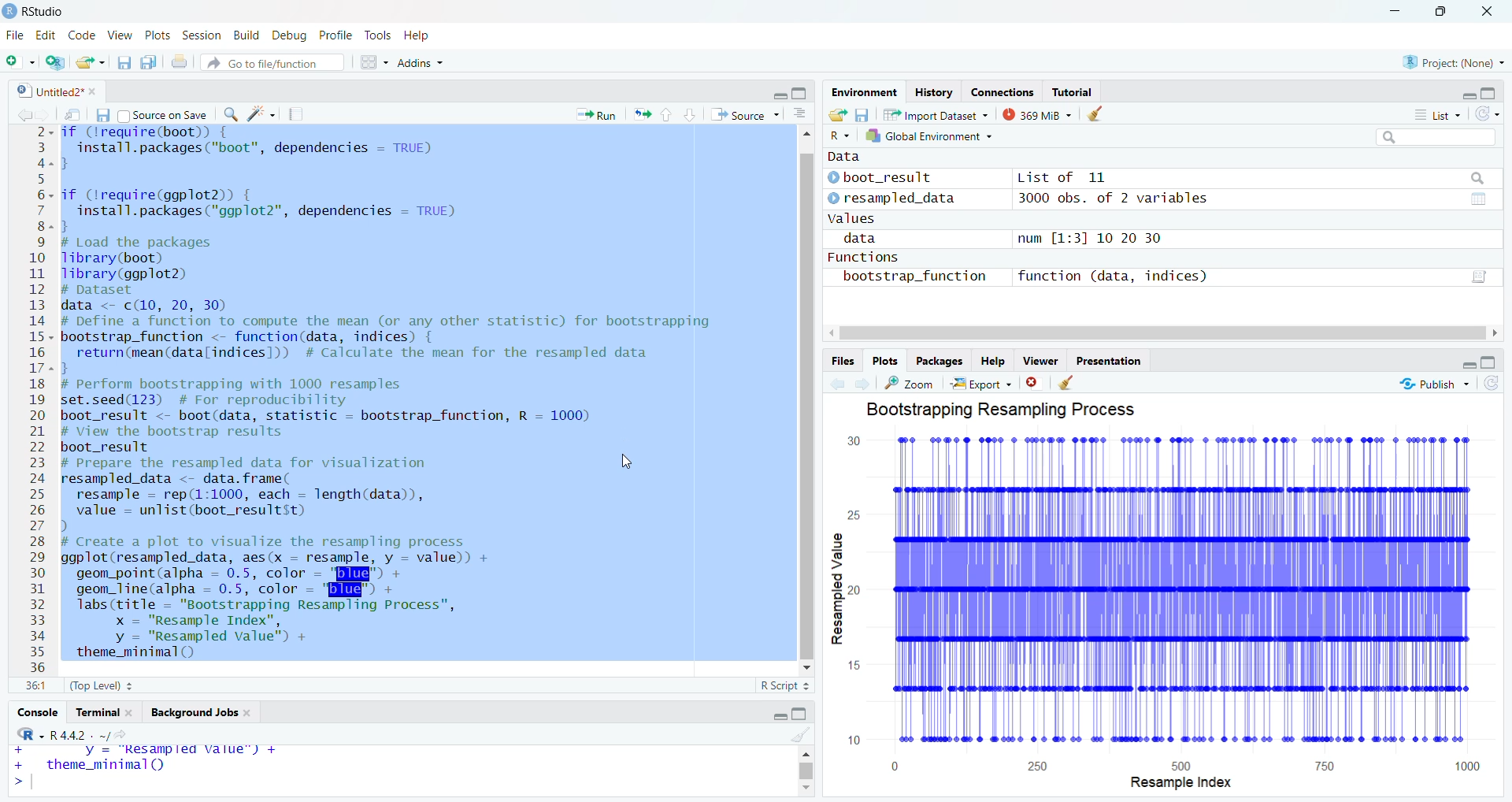 The height and width of the screenshot is (802, 1512). Describe the element at coordinates (1184, 785) in the screenshot. I see `resample index` at that location.